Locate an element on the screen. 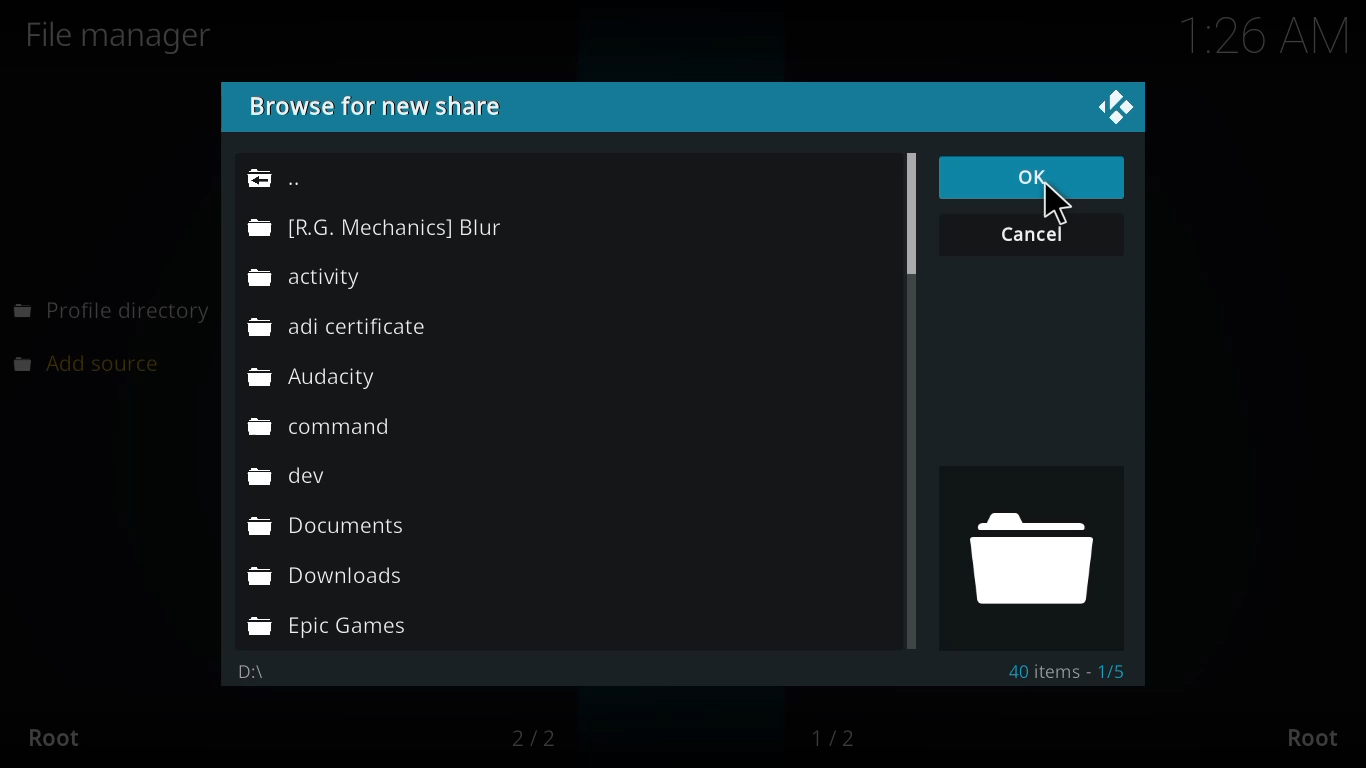 The width and height of the screenshot is (1366, 768). 2/2 is located at coordinates (544, 738).